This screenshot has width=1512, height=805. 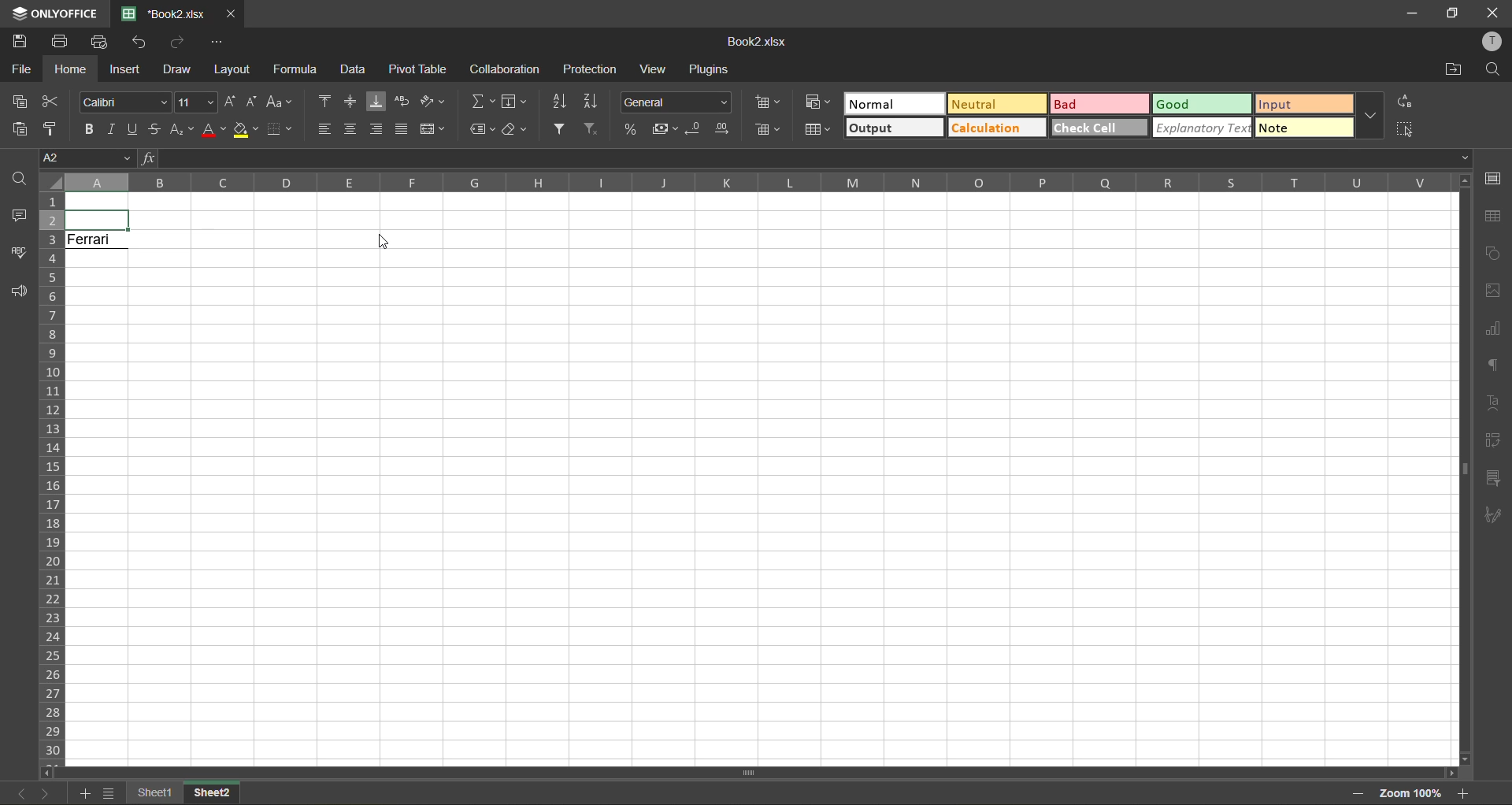 What do you see at coordinates (83, 157) in the screenshot?
I see `cell address` at bounding box center [83, 157].